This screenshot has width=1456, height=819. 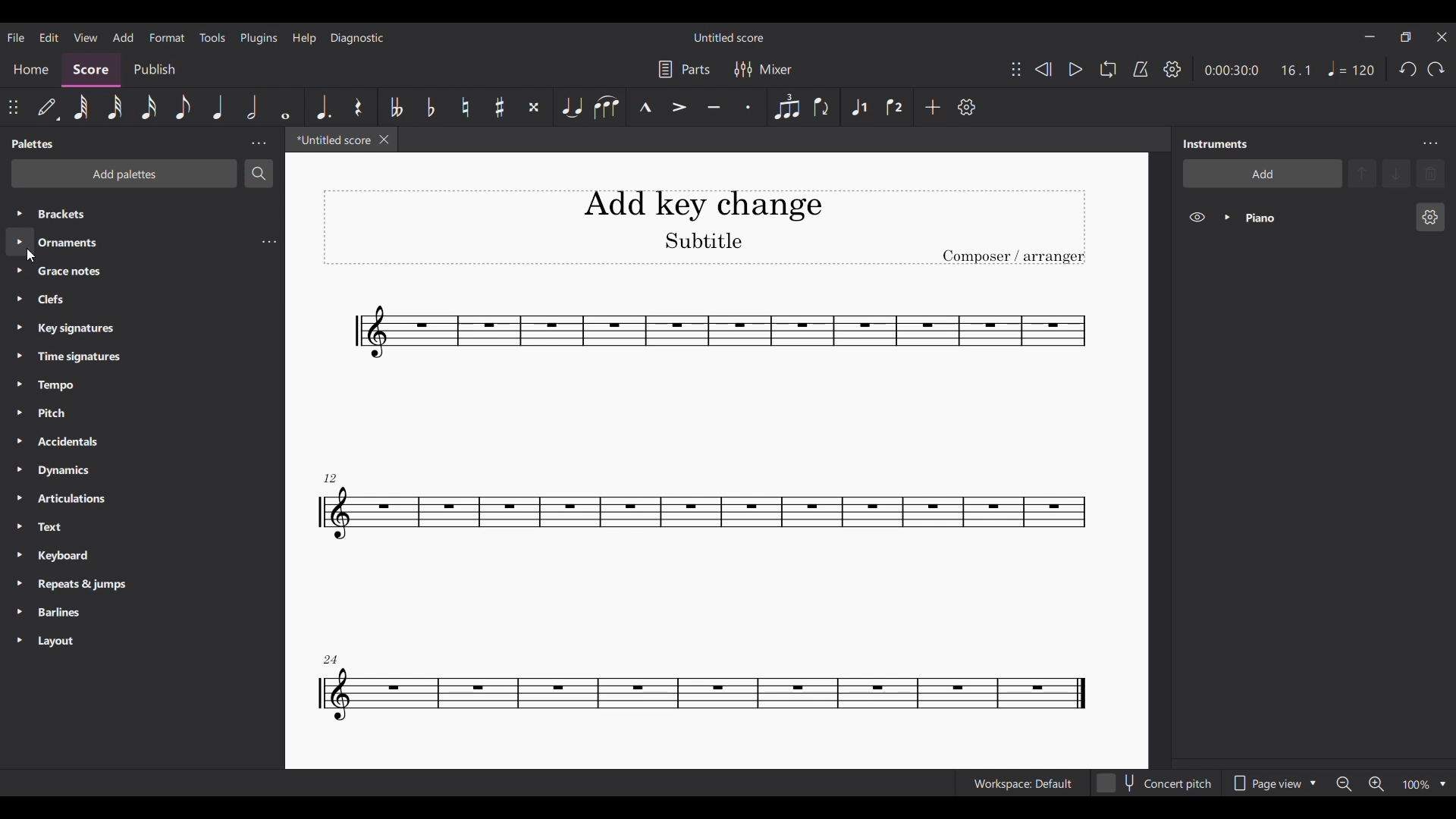 I want to click on View menu, so click(x=85, y=36).